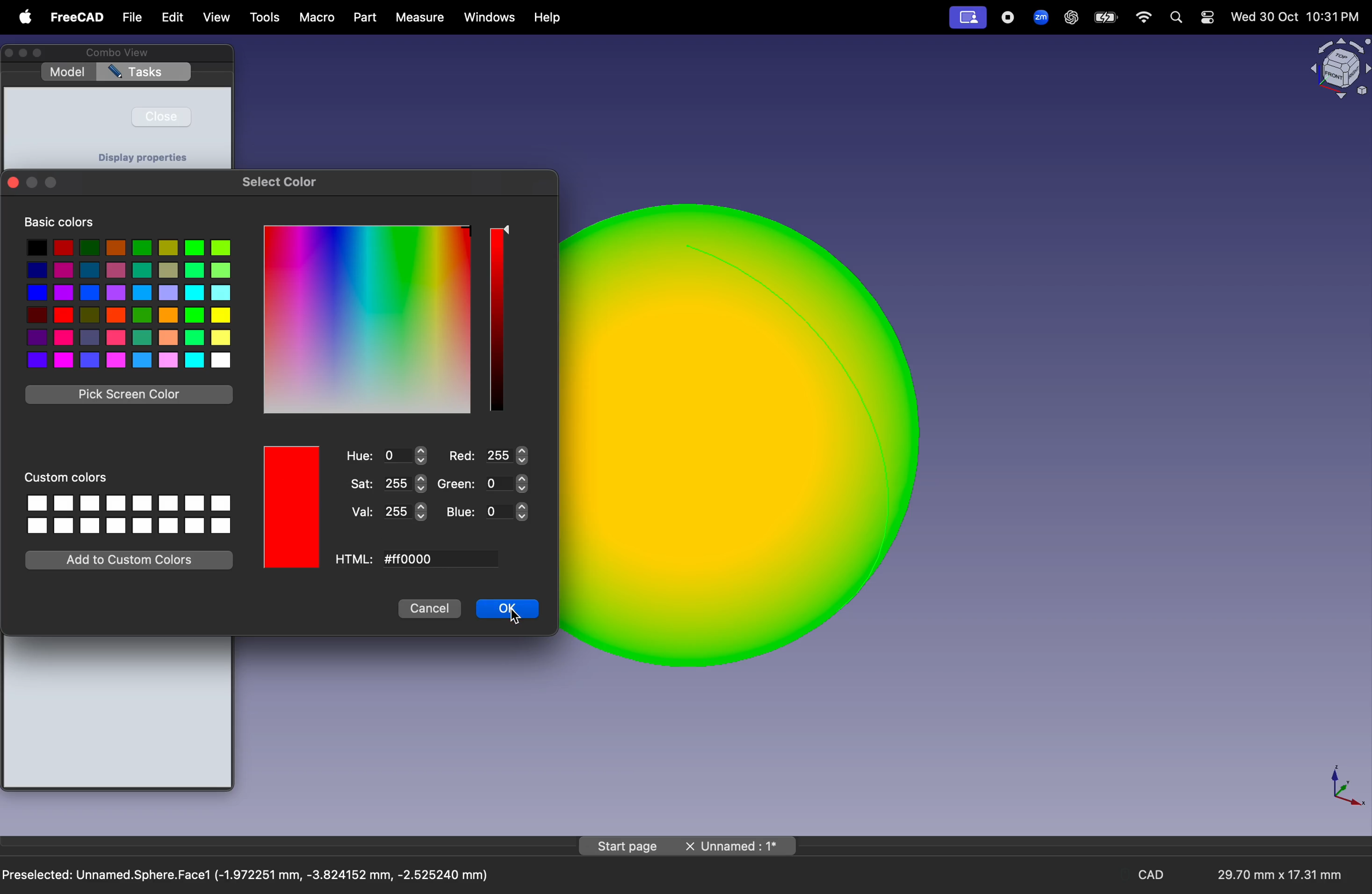 The width and height of the screenshot is (1372, 894). What do you see at coordinates (77, 18) in the screenshot?
I see `free Cad` at bounding box center [77, 18].